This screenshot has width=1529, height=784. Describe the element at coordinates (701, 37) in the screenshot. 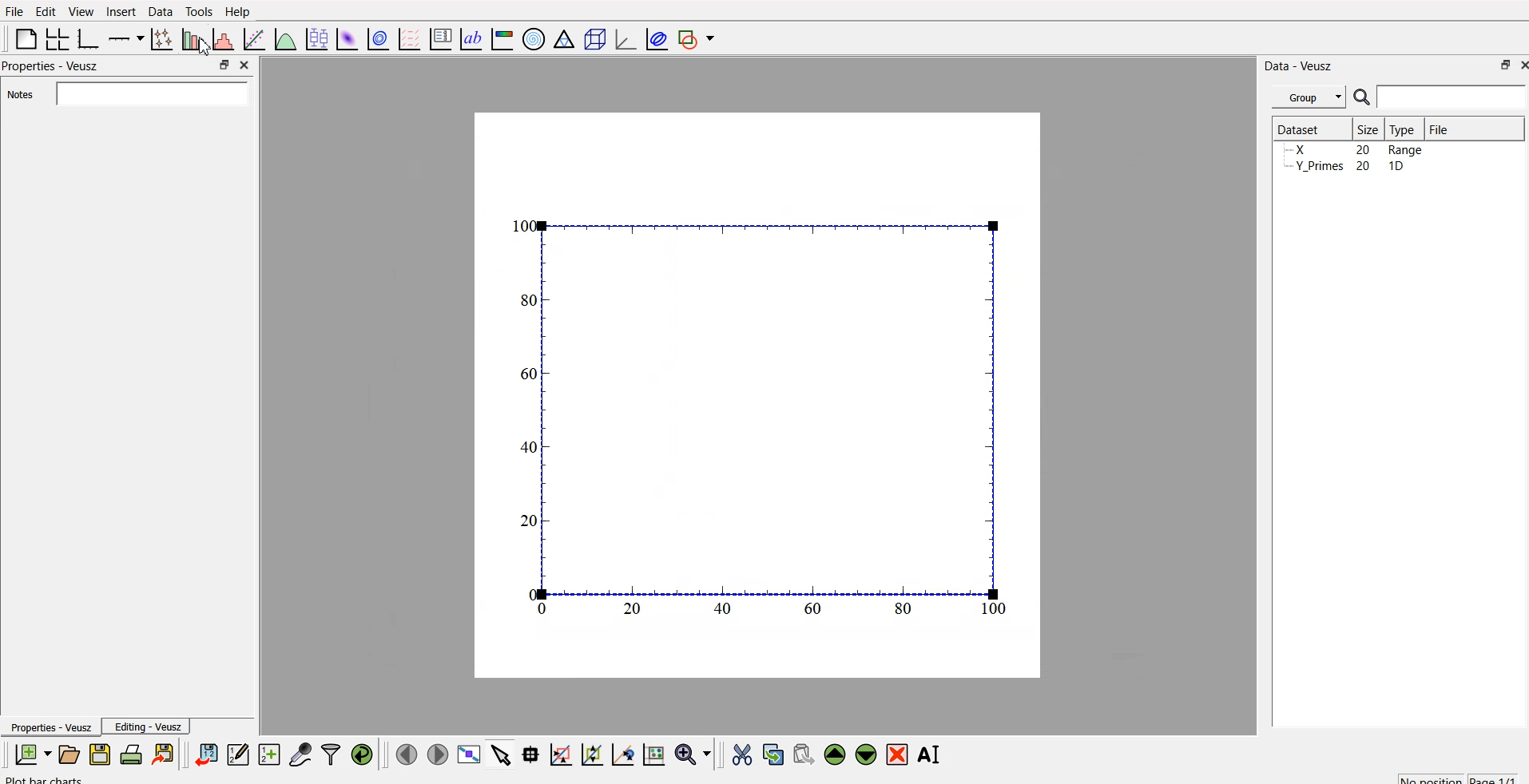

I see `add shape to plot` at that location.